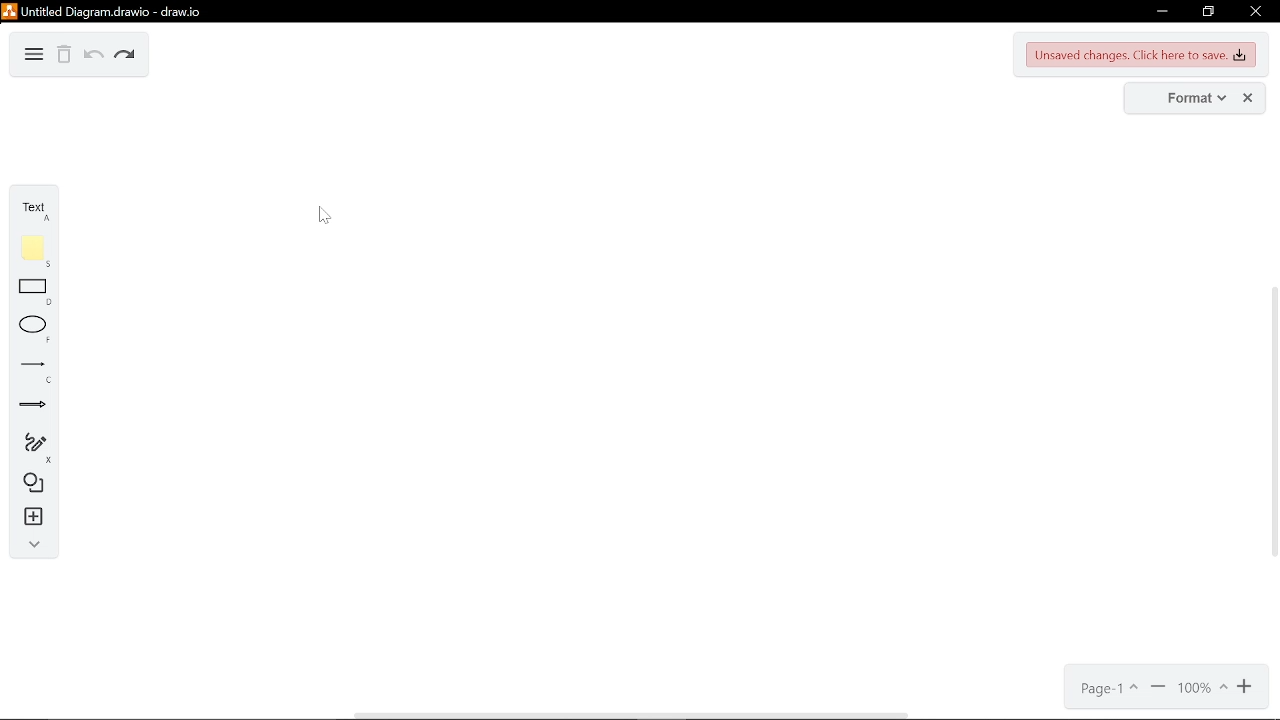 This screenshot has width=1280, height=720. I want to click on delete, so click(65, 57).